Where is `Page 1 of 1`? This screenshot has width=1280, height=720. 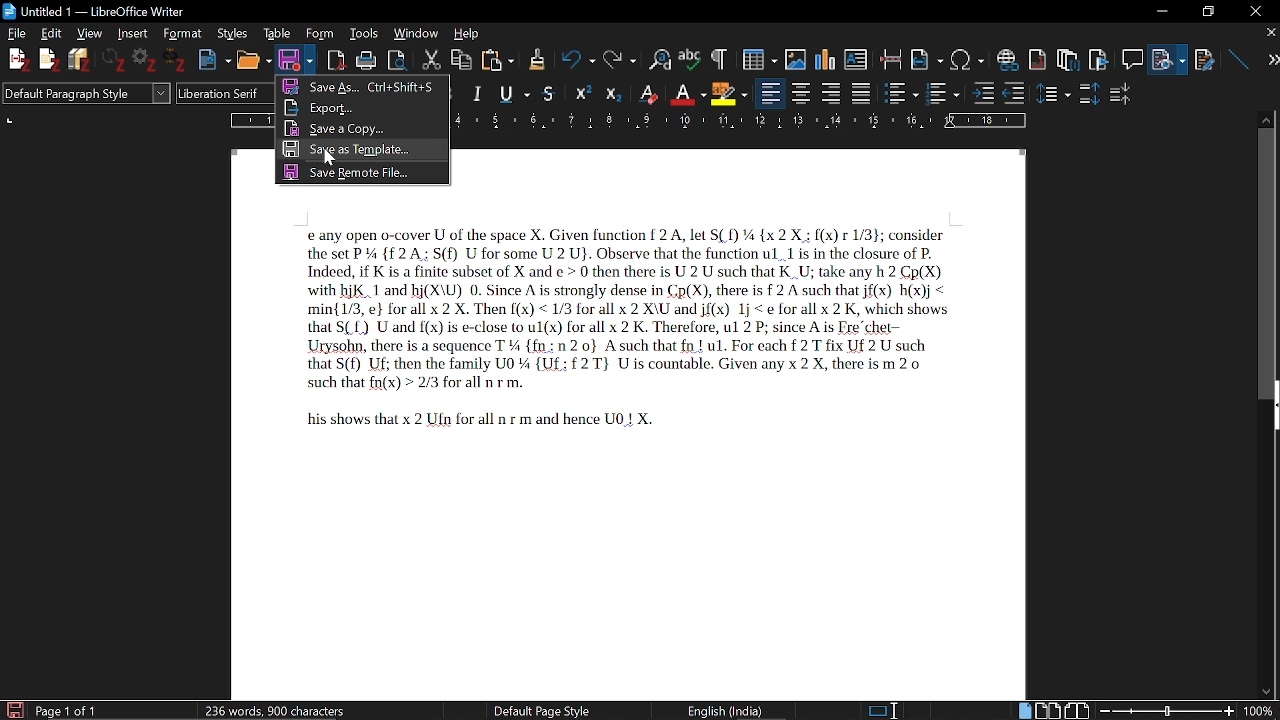 Page 1 of 1 is located at coordinates (66, 709).